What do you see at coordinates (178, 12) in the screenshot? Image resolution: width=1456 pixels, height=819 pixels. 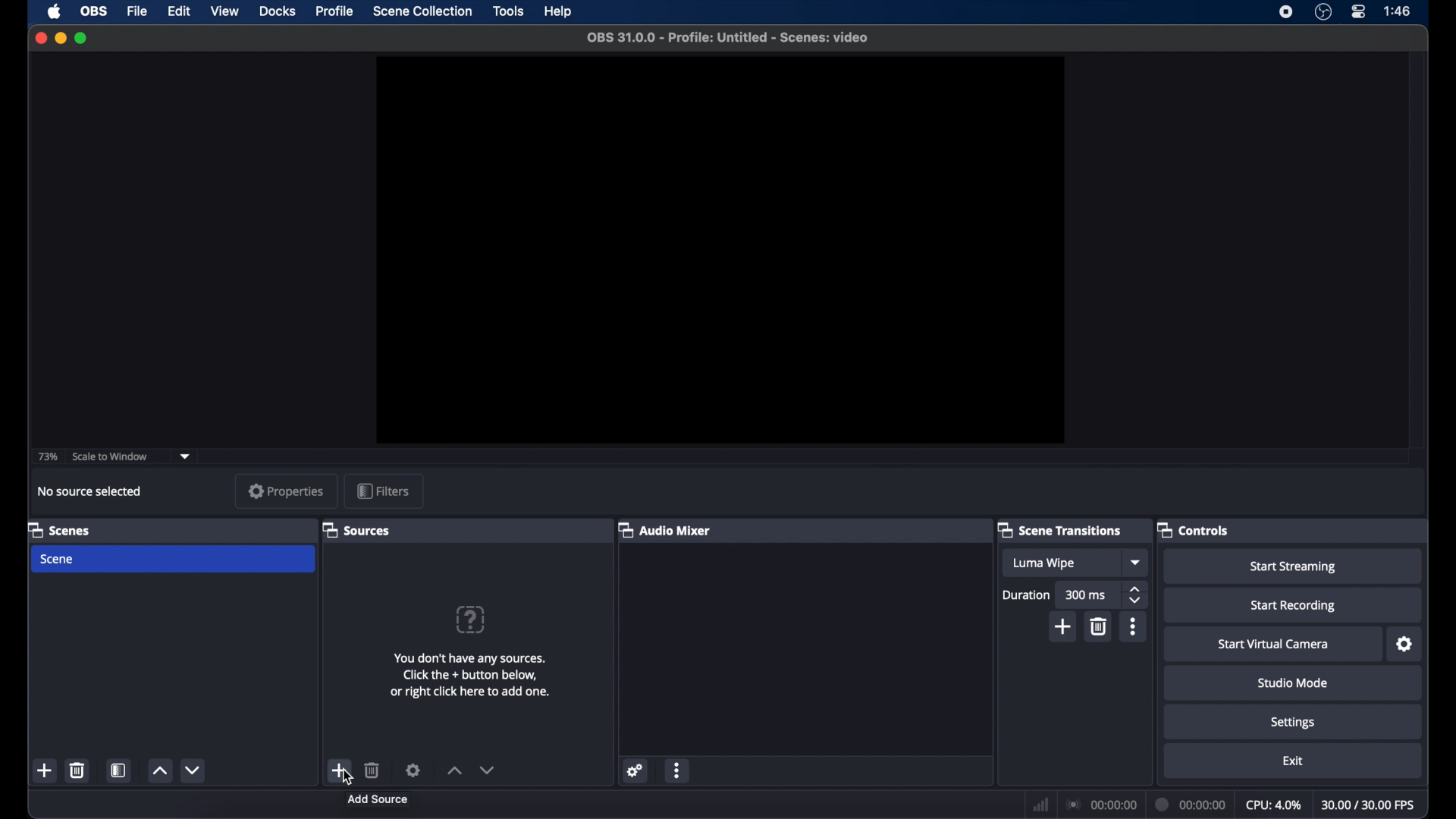 I see `edit` at bounding box center [178, 12].